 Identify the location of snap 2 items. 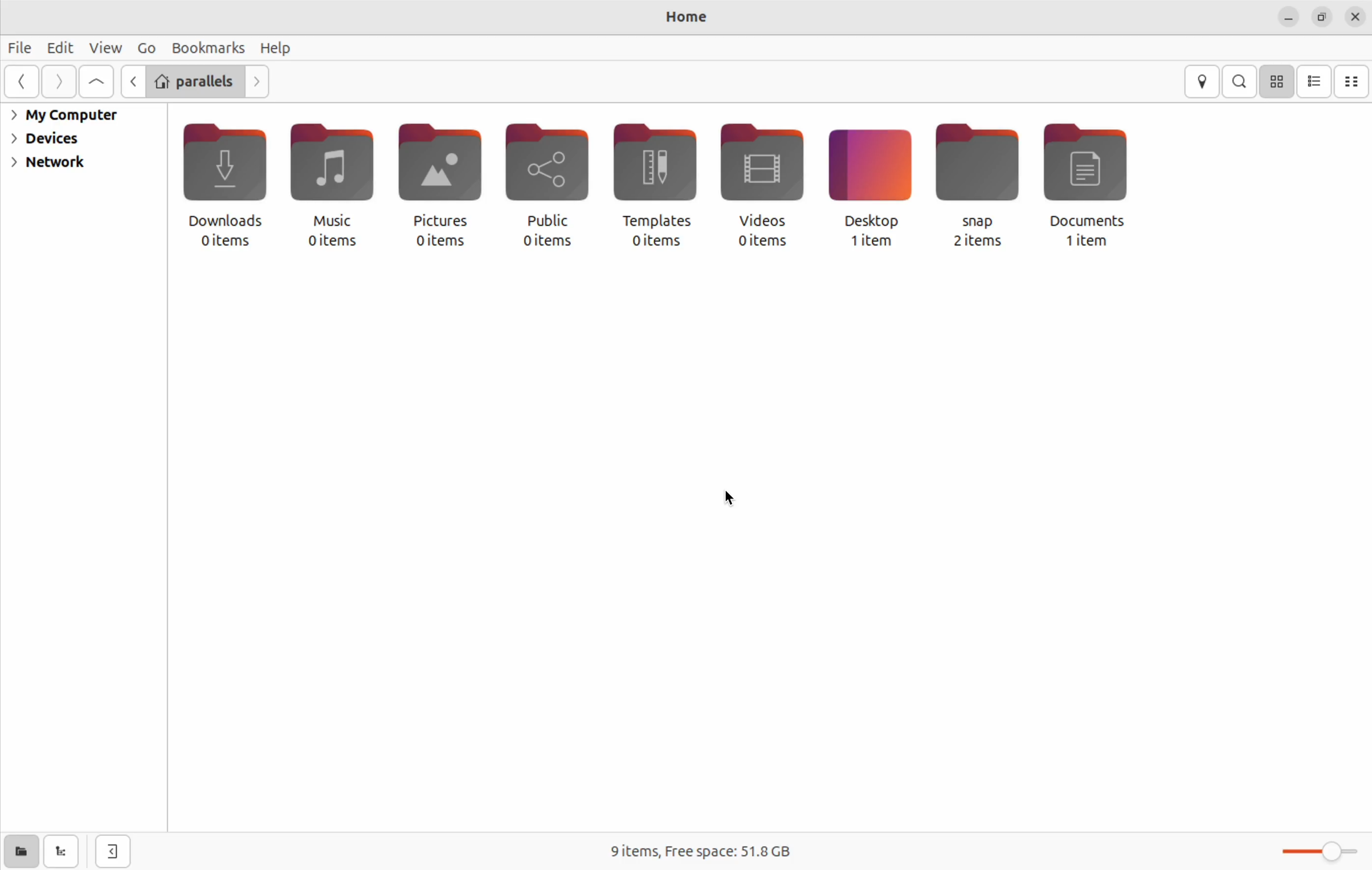
(975, 189).